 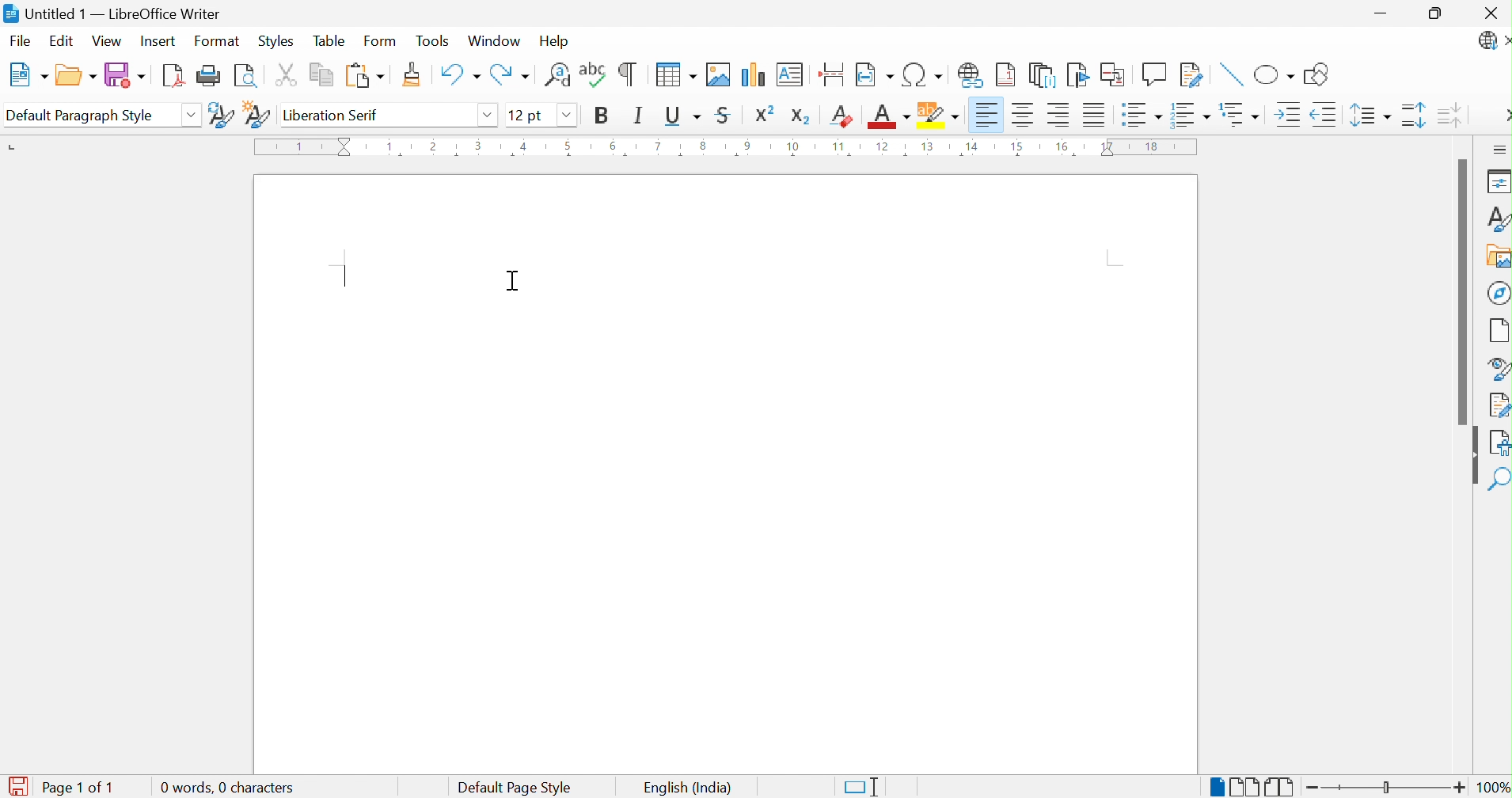 I want to click on Cursor, so click(x=514, y=282).